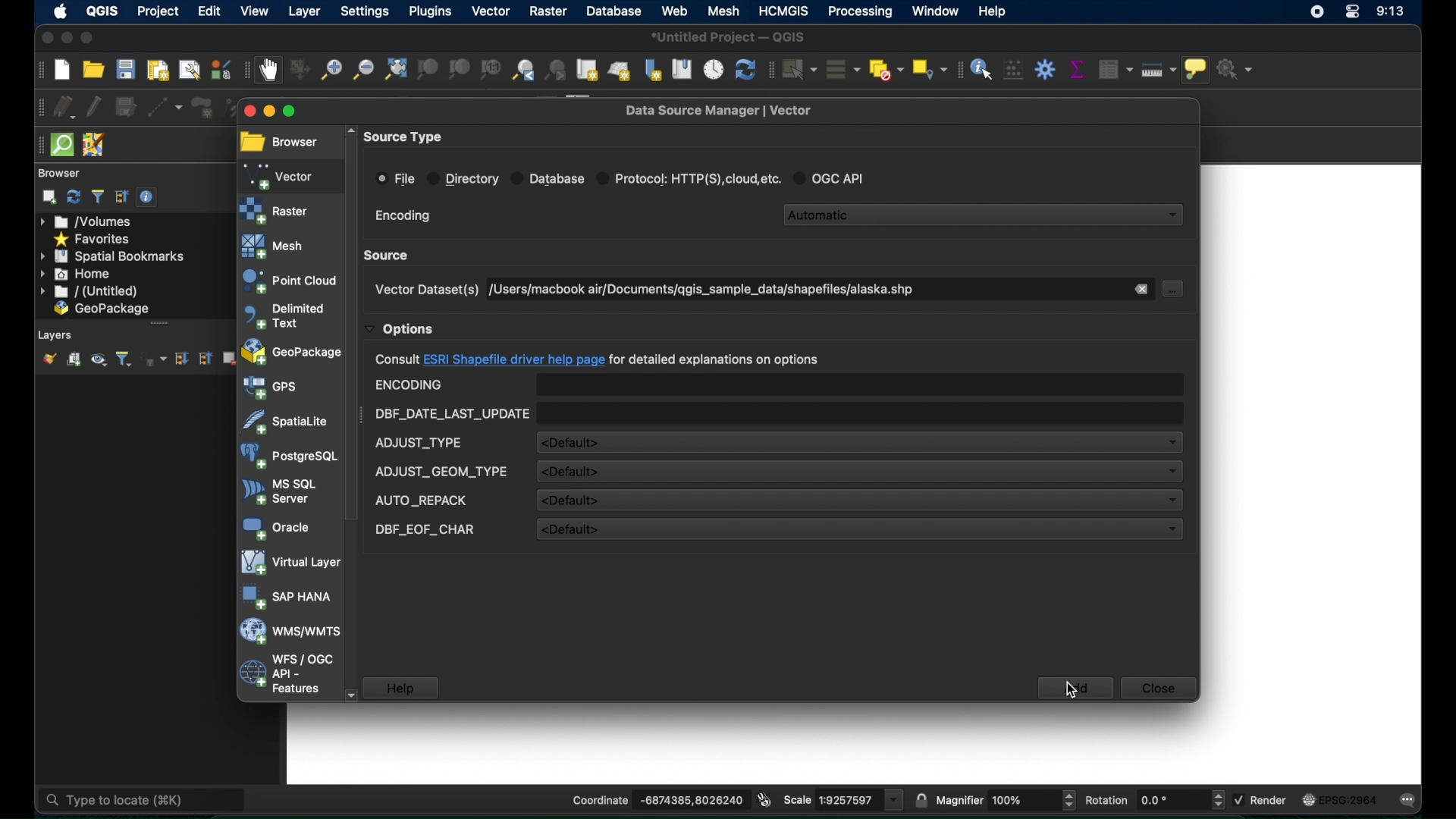  I want to click on cursor, so click(1072, 690).